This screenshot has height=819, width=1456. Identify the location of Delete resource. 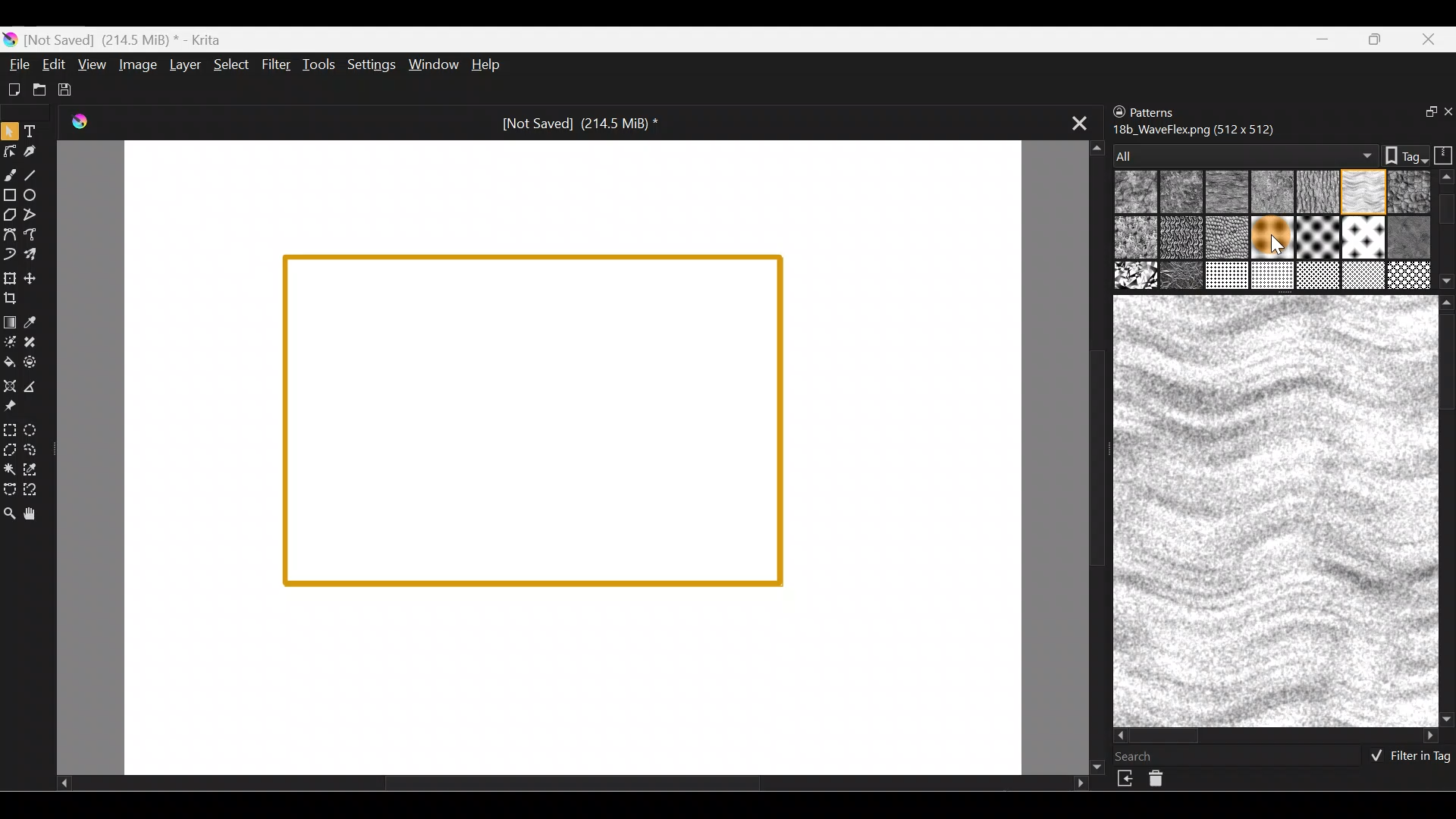
(1164, 782).